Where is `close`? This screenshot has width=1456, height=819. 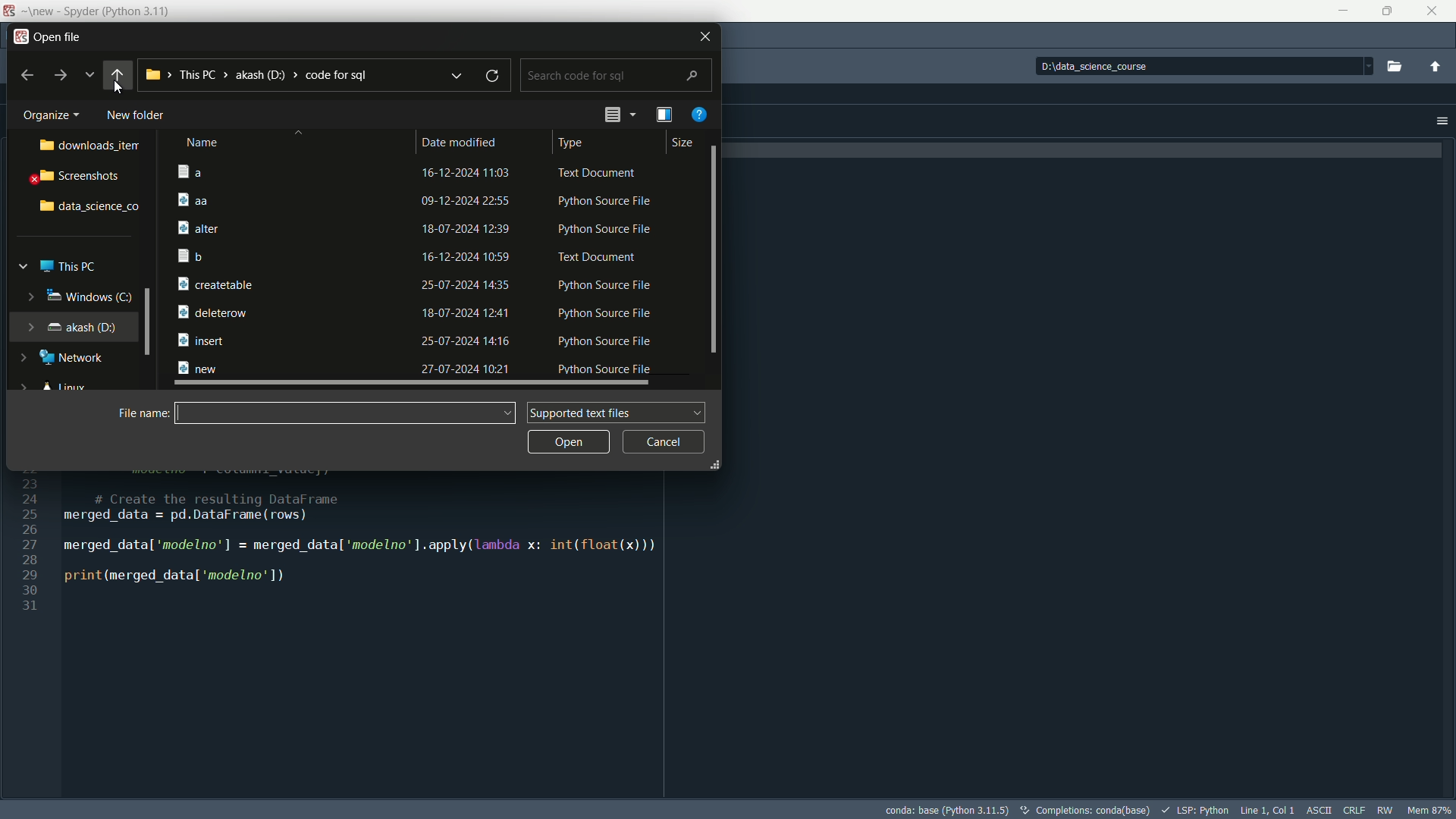
close is located at coordinates (1433, 11).